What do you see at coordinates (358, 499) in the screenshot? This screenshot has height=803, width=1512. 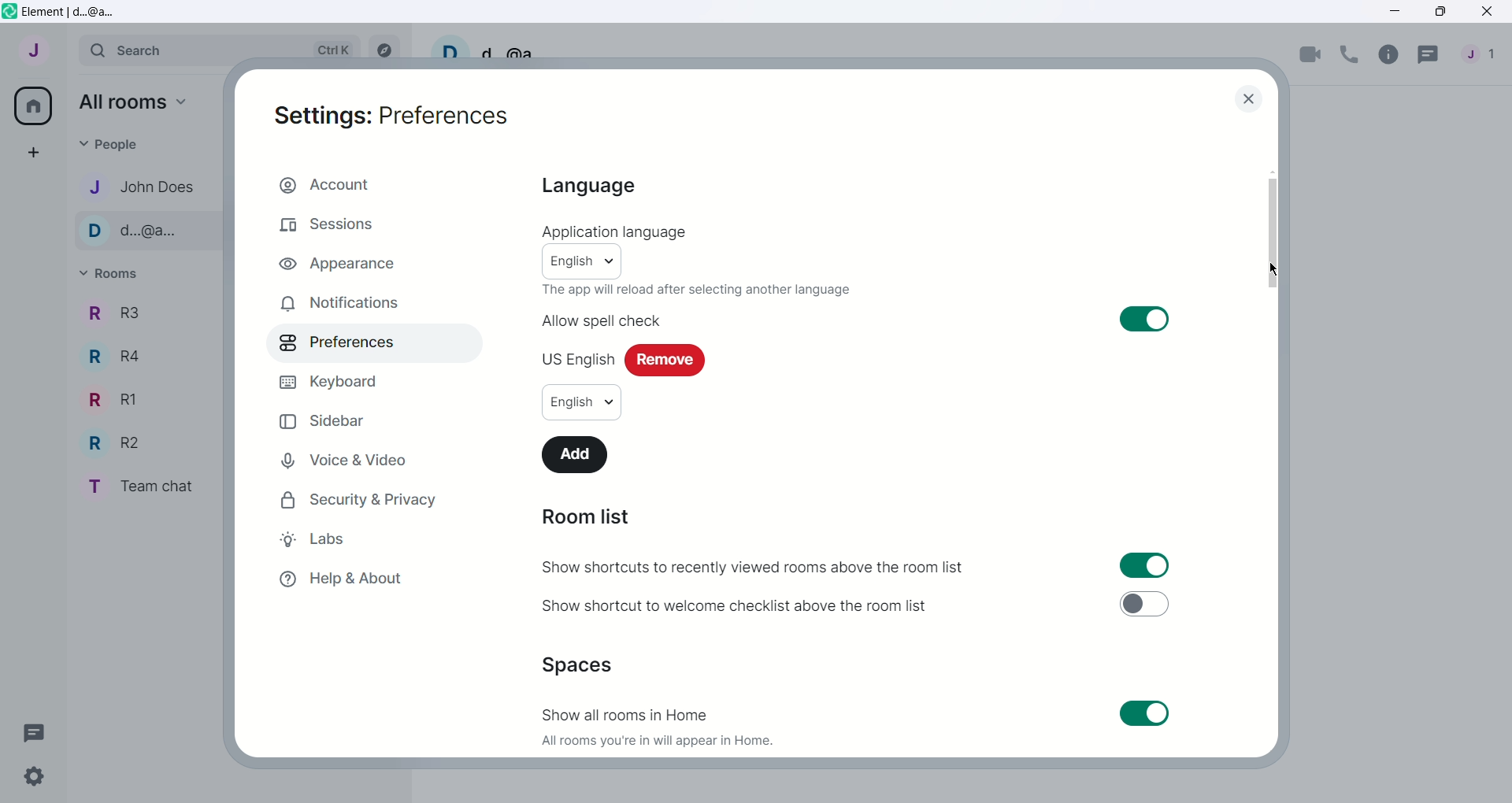 I see `Security and Privacy` at bounding box center [358, 499].